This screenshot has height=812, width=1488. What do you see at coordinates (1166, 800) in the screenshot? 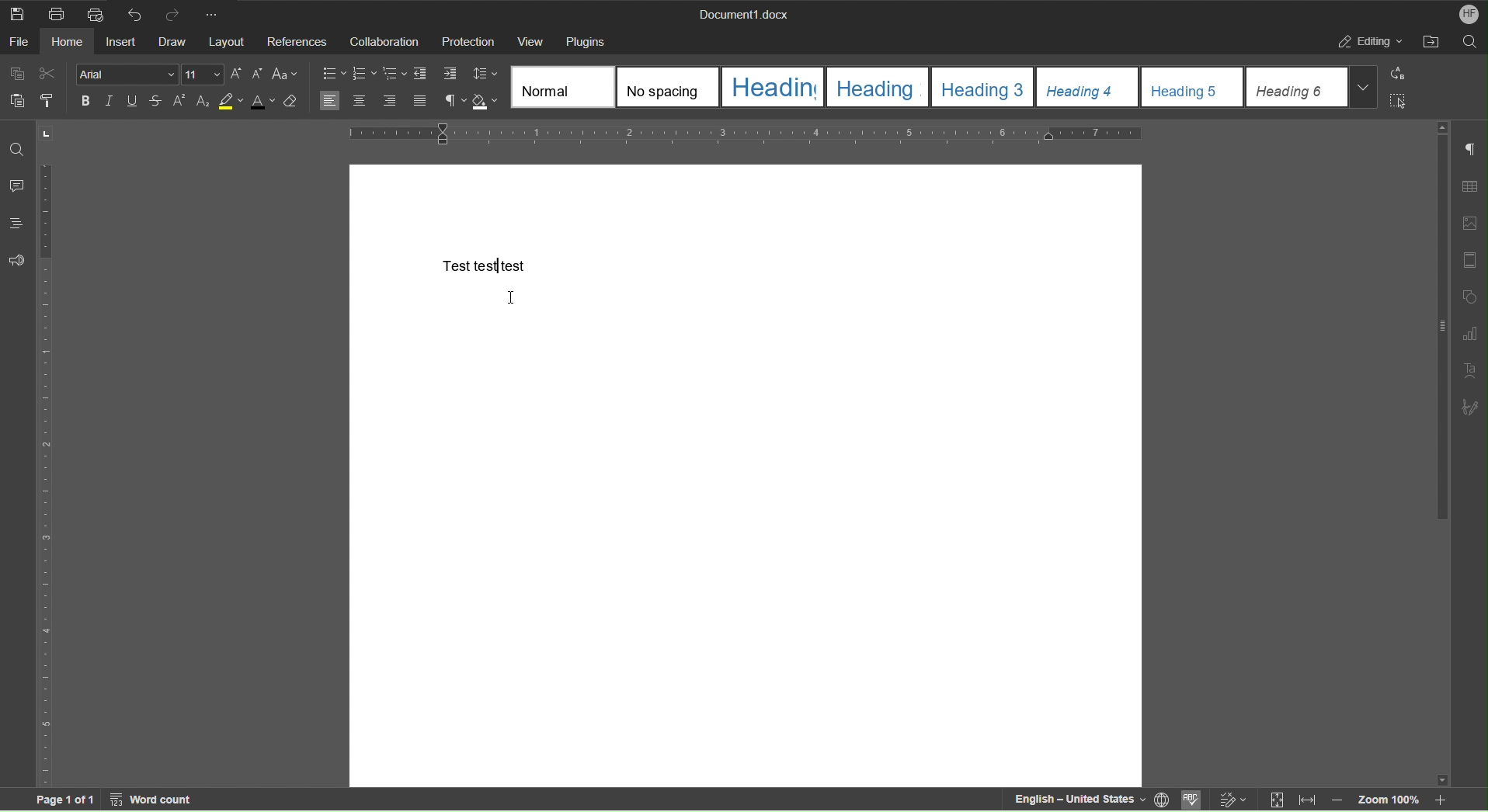
I see `Language` at bounding box center [1166, 800].